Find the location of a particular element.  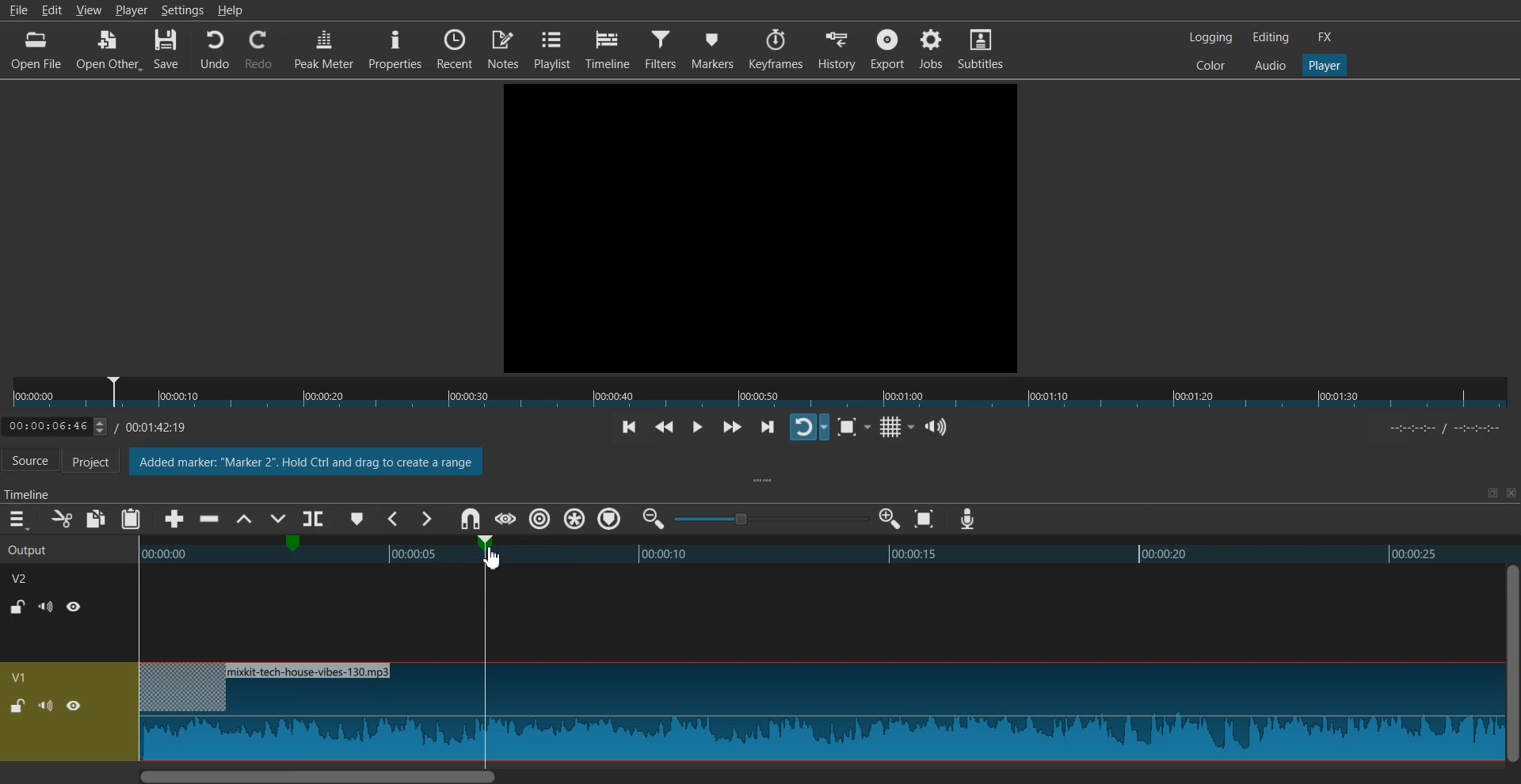

Cut is located at coordinates (62, 519).